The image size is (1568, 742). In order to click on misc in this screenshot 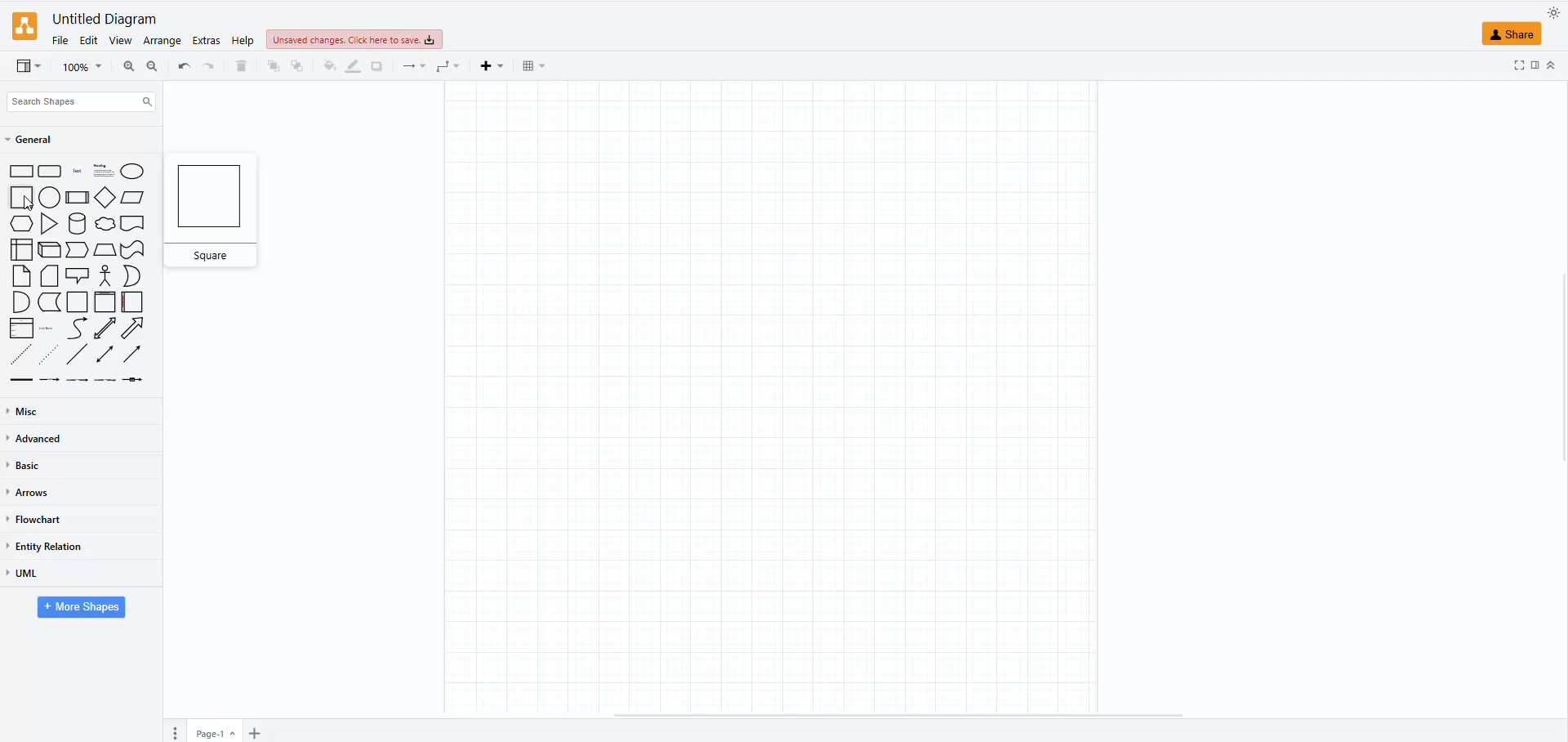, I will do `click(26, 411)`.